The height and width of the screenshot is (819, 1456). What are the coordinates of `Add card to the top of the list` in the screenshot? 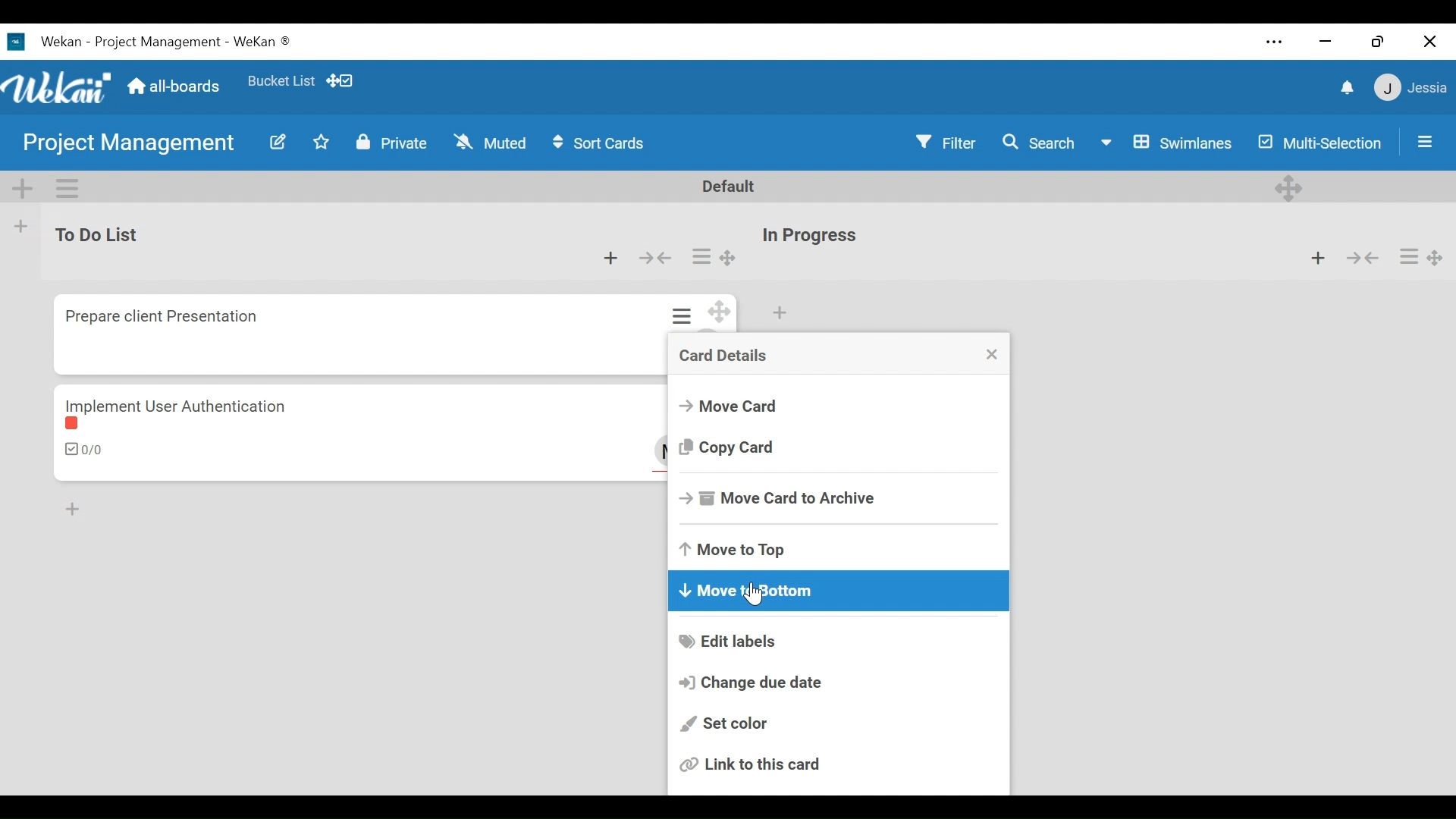 It's located at (610, 258).